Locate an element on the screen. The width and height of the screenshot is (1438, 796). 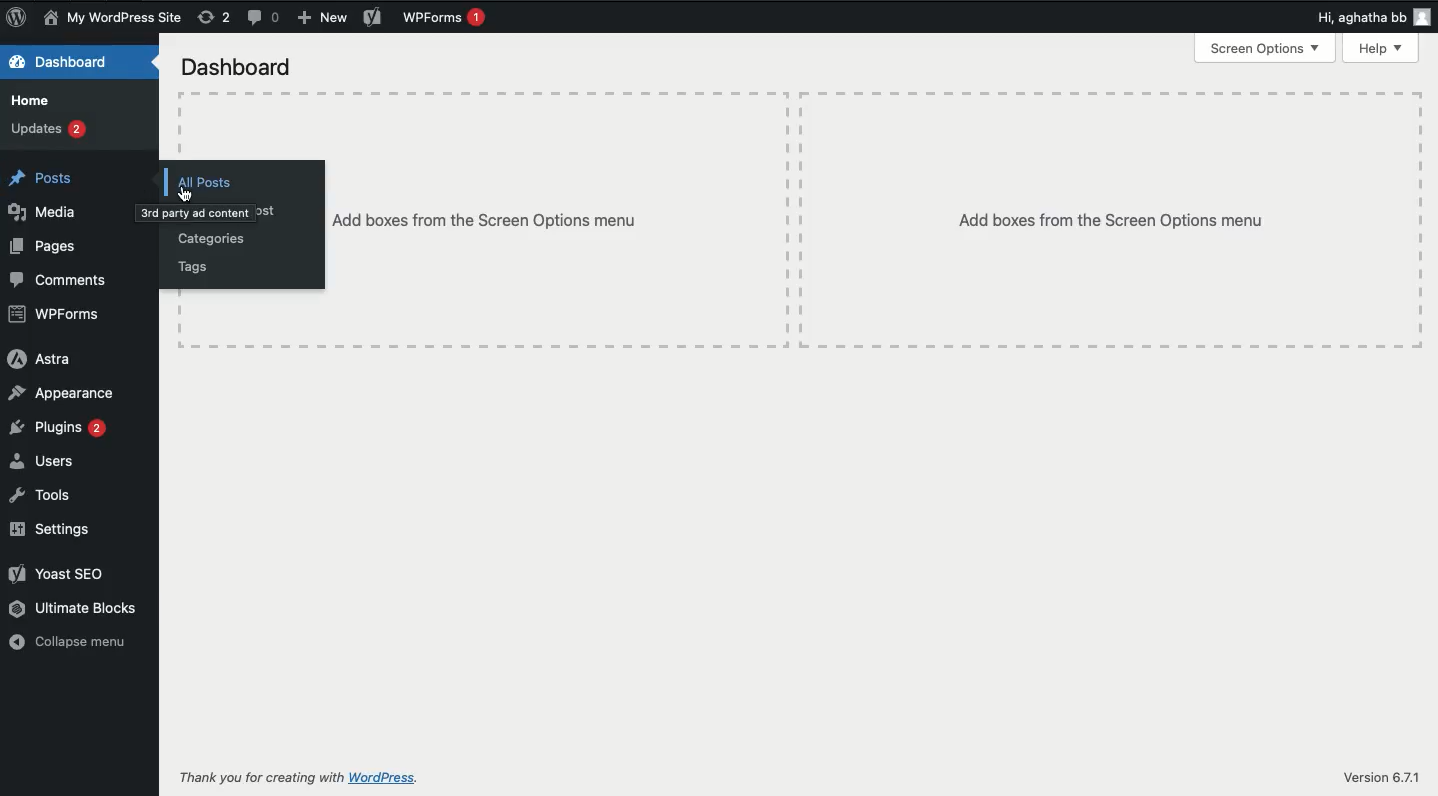
Help is located at coordinates (1380, 49).